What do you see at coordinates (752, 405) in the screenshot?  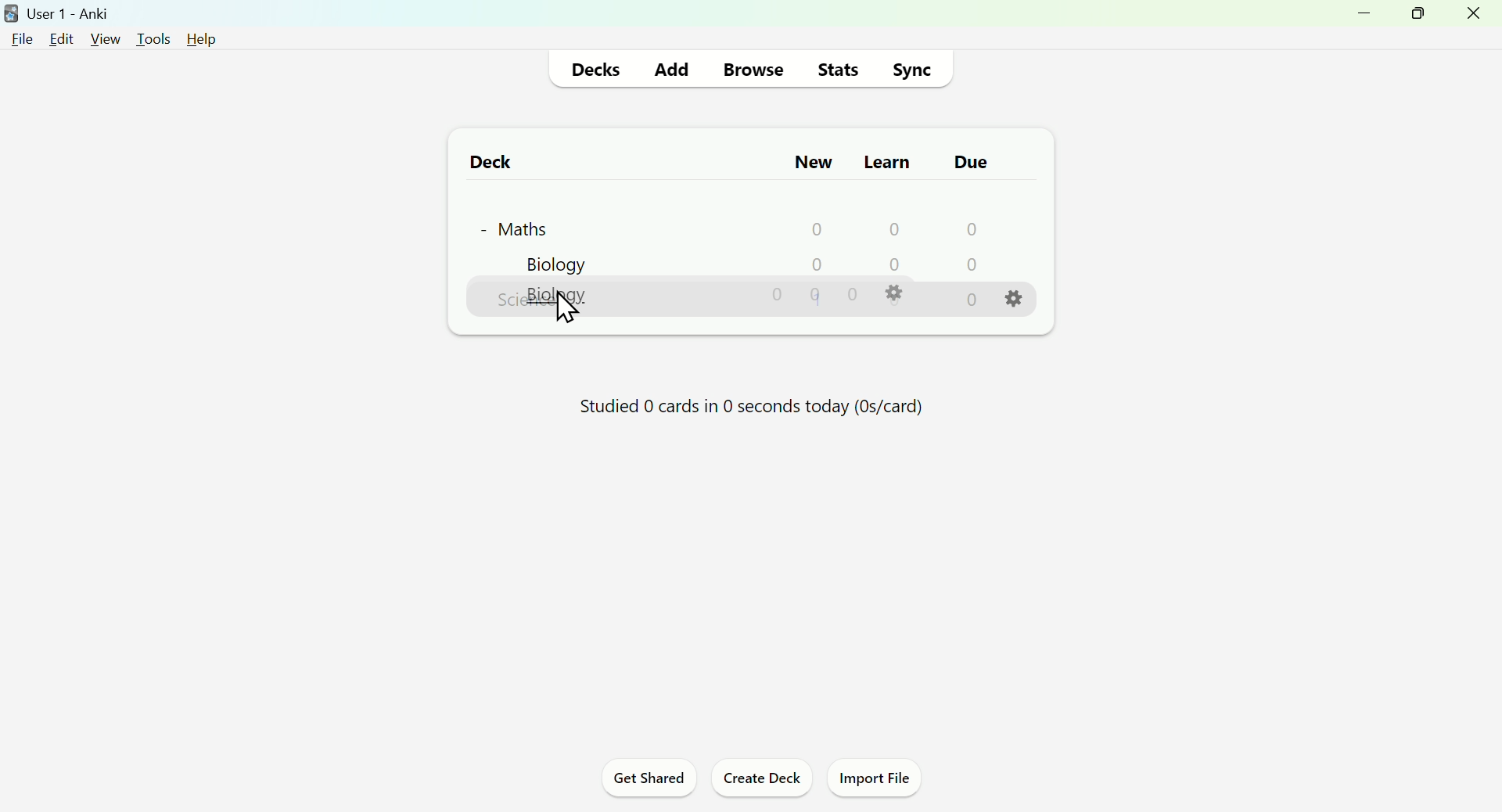 I see `Studied 0 cards in 0 seconds today (Os/card)` at bounding box center [752, 405].